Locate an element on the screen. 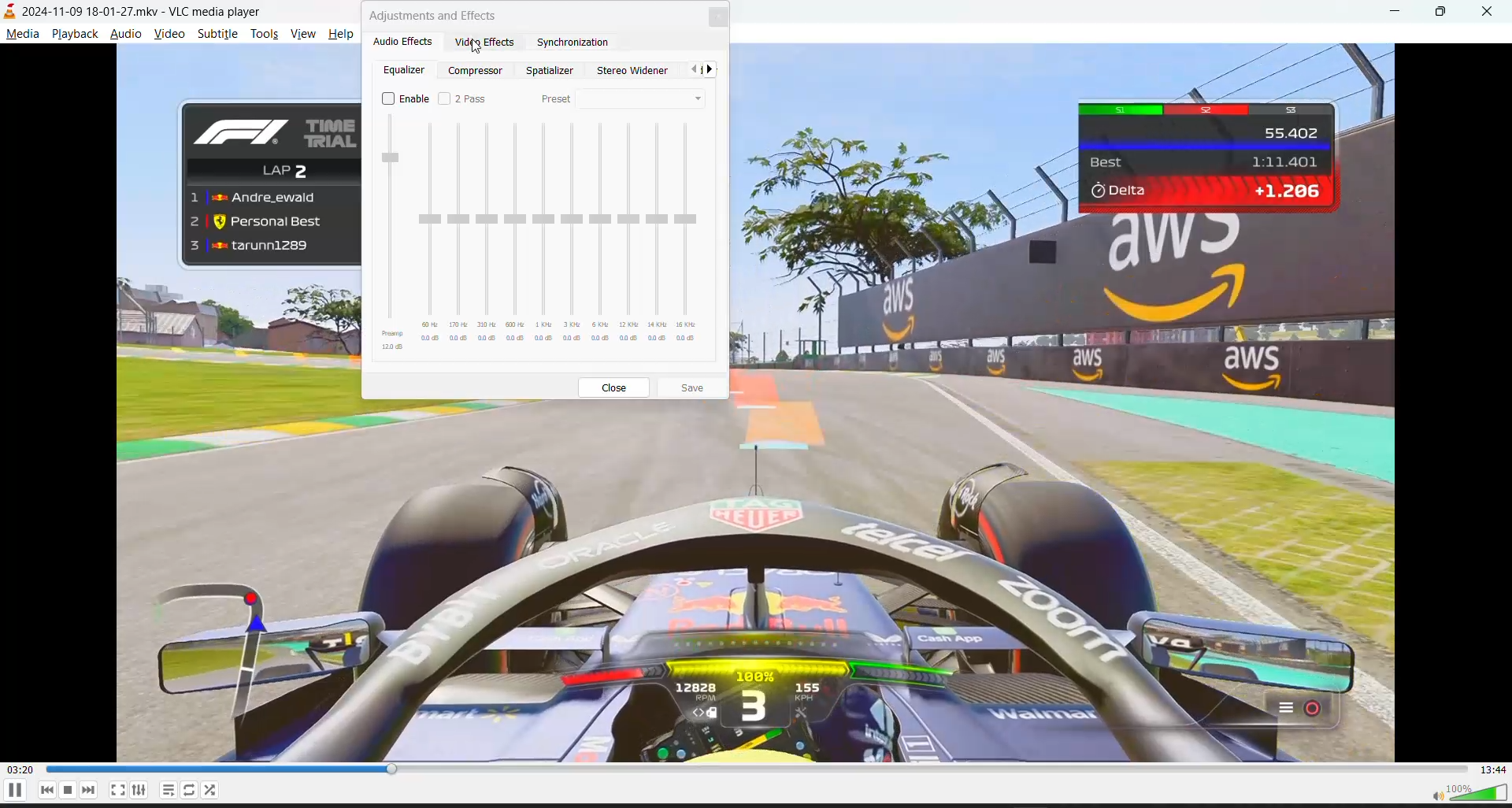 The image size is (1512, 808). stop is located at coordinates (69, 790).